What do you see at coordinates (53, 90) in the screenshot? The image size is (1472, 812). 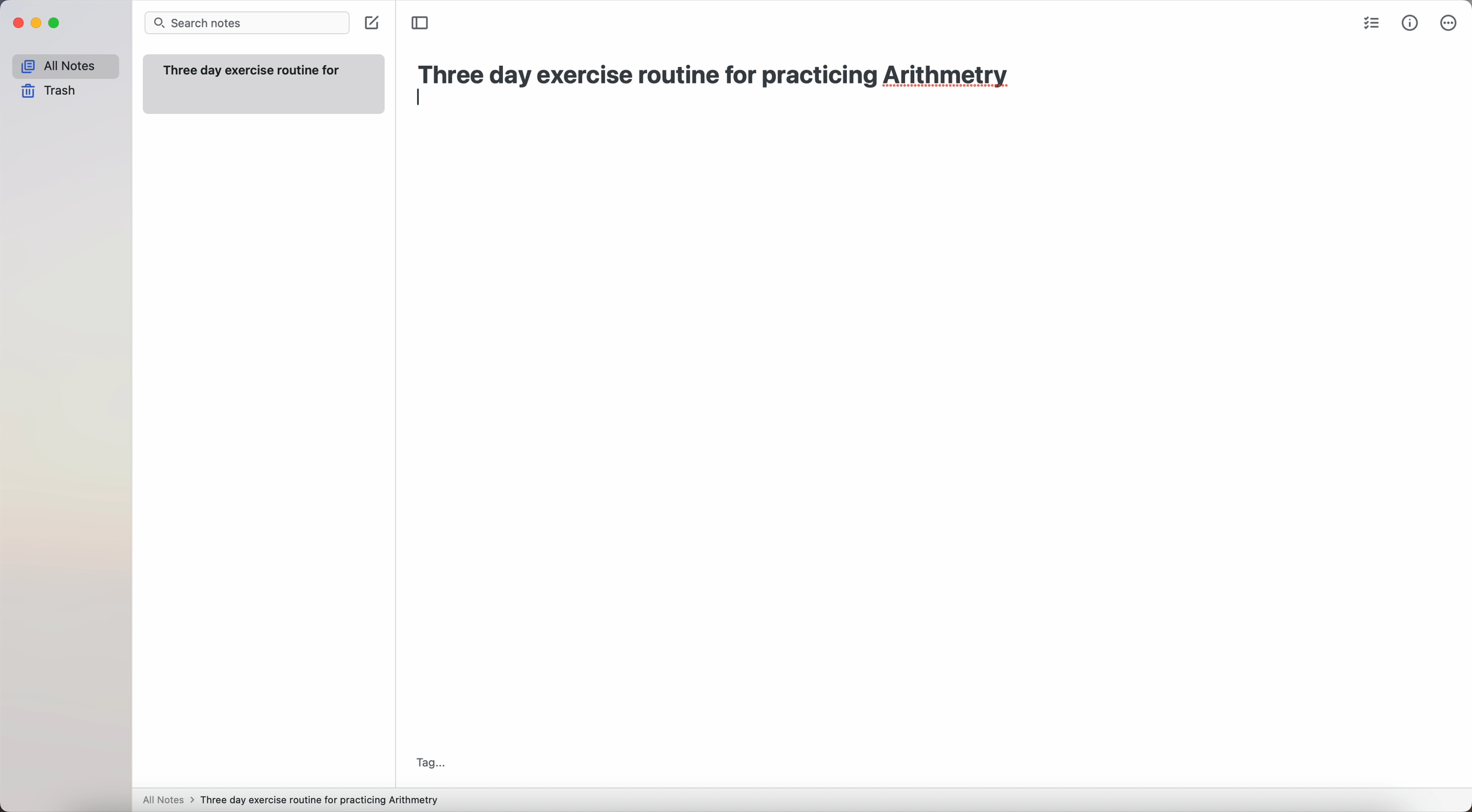 I see `trash` at bounding box center [53, 90].